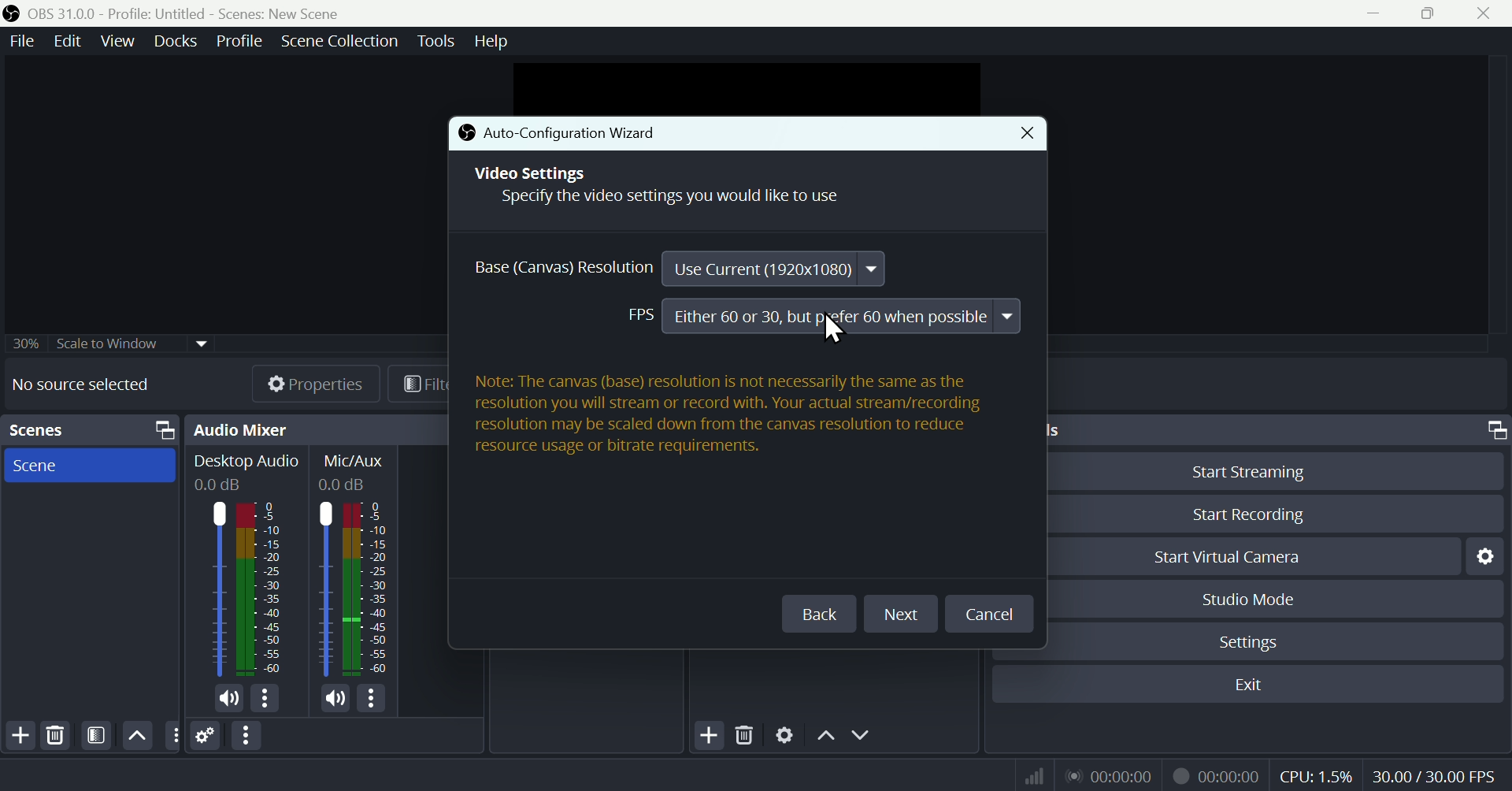  I want to click on minimise, so click(1369, 13).